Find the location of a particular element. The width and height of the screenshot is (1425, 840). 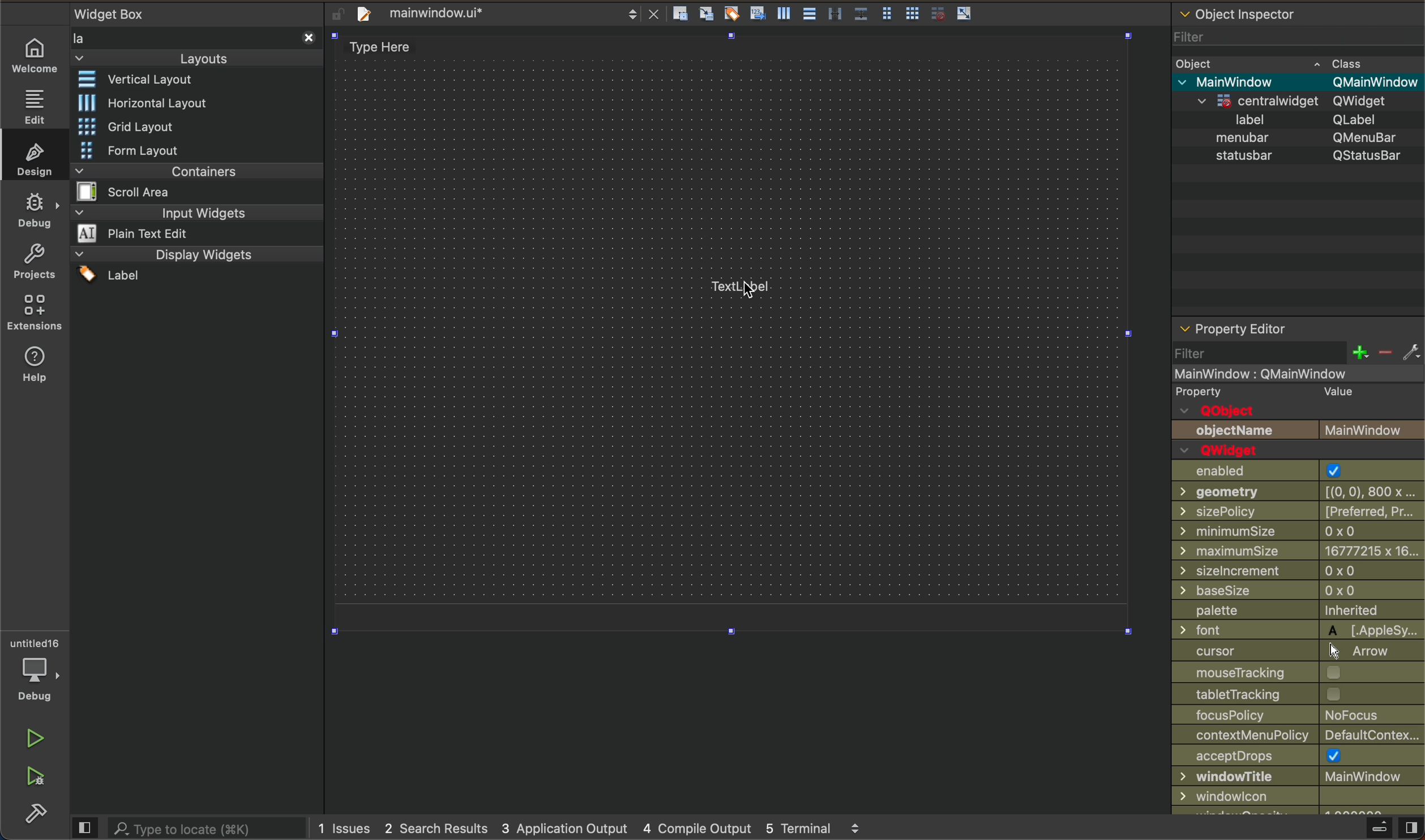

5 terminal is located at coordinates (823, 825).